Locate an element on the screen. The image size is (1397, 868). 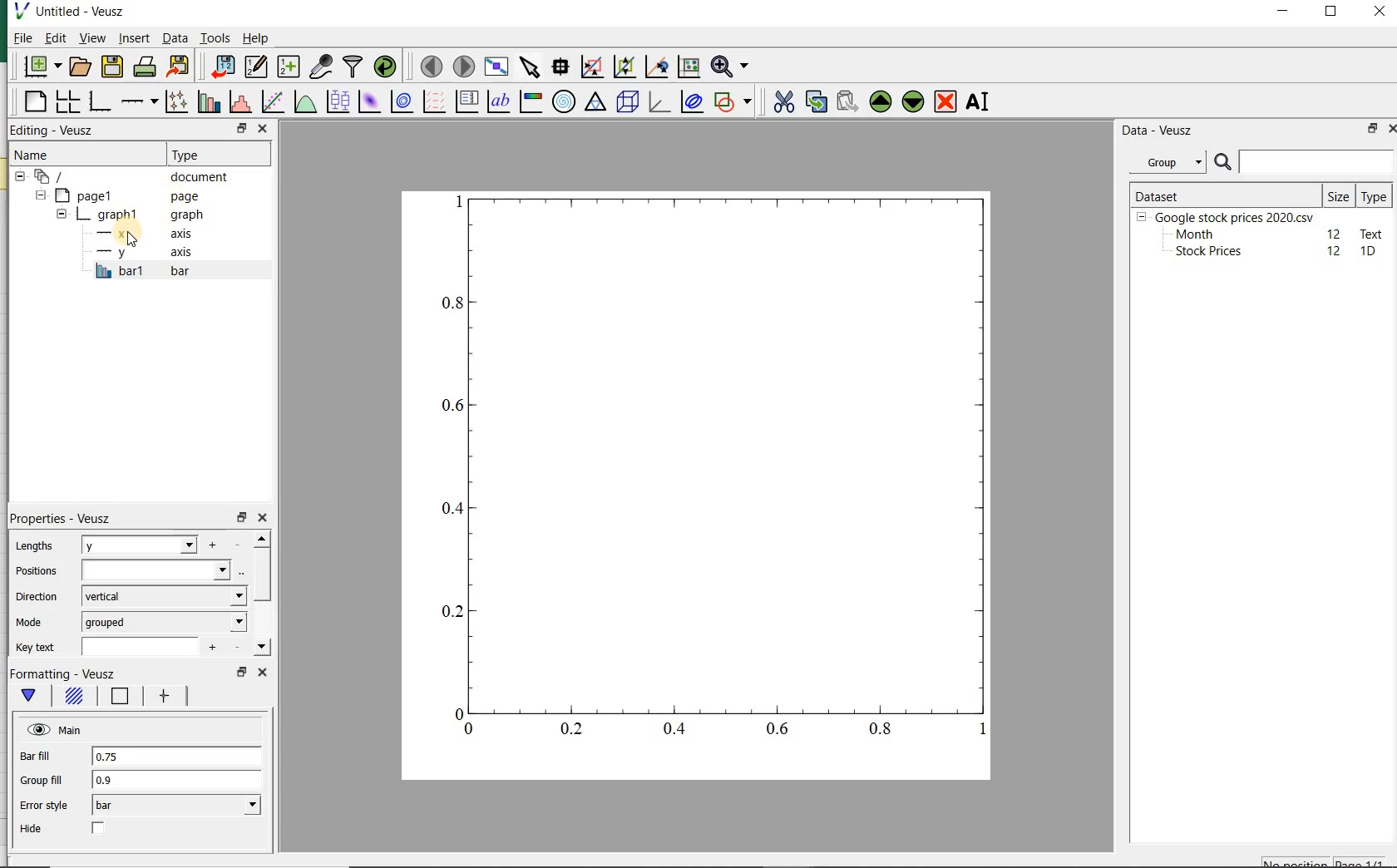
Properties - Veusz is located at coordinates (62, 517).